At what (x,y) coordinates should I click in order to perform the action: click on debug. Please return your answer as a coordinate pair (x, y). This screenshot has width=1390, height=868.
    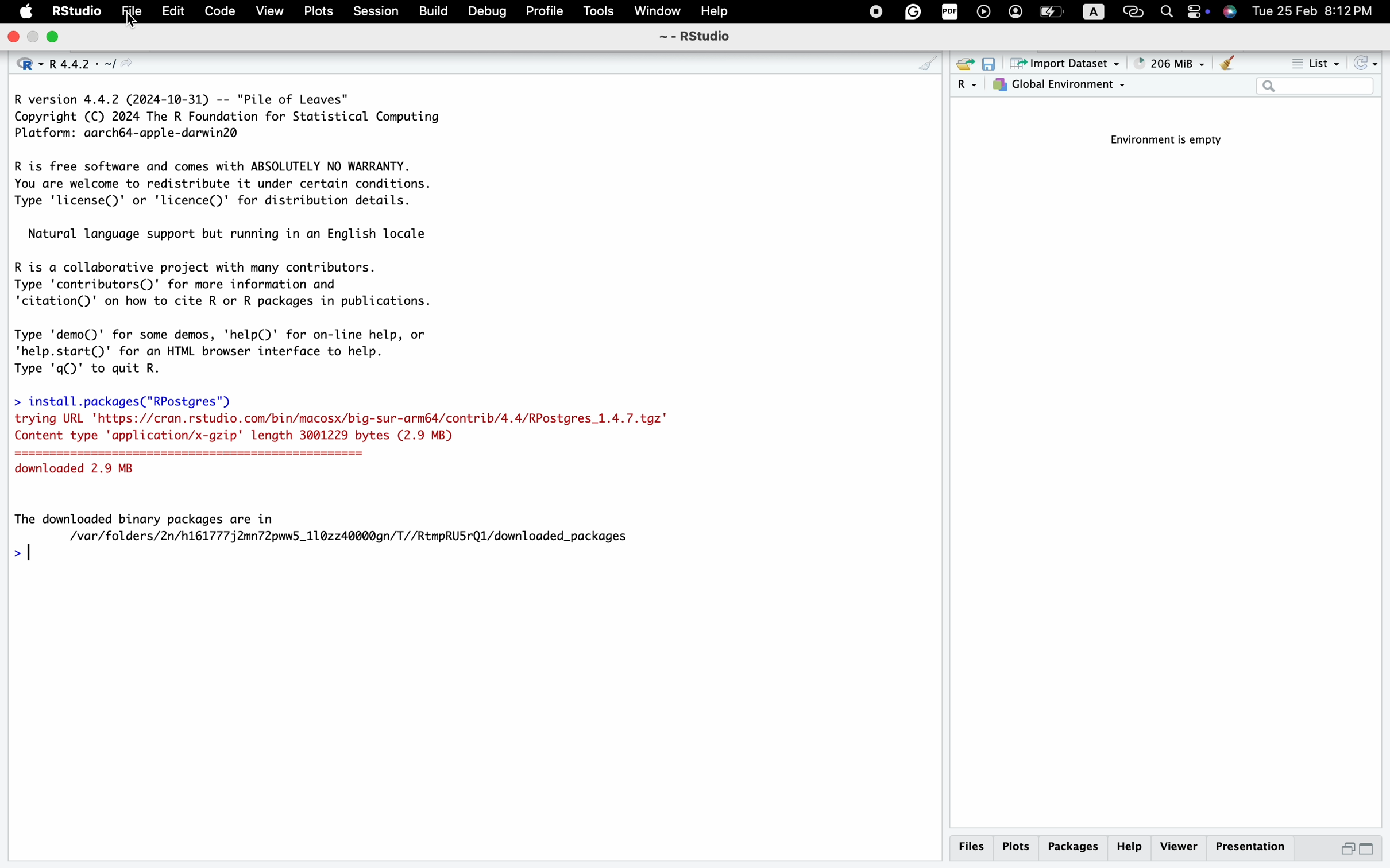
    Looking at the image, I should click on (486, 11).